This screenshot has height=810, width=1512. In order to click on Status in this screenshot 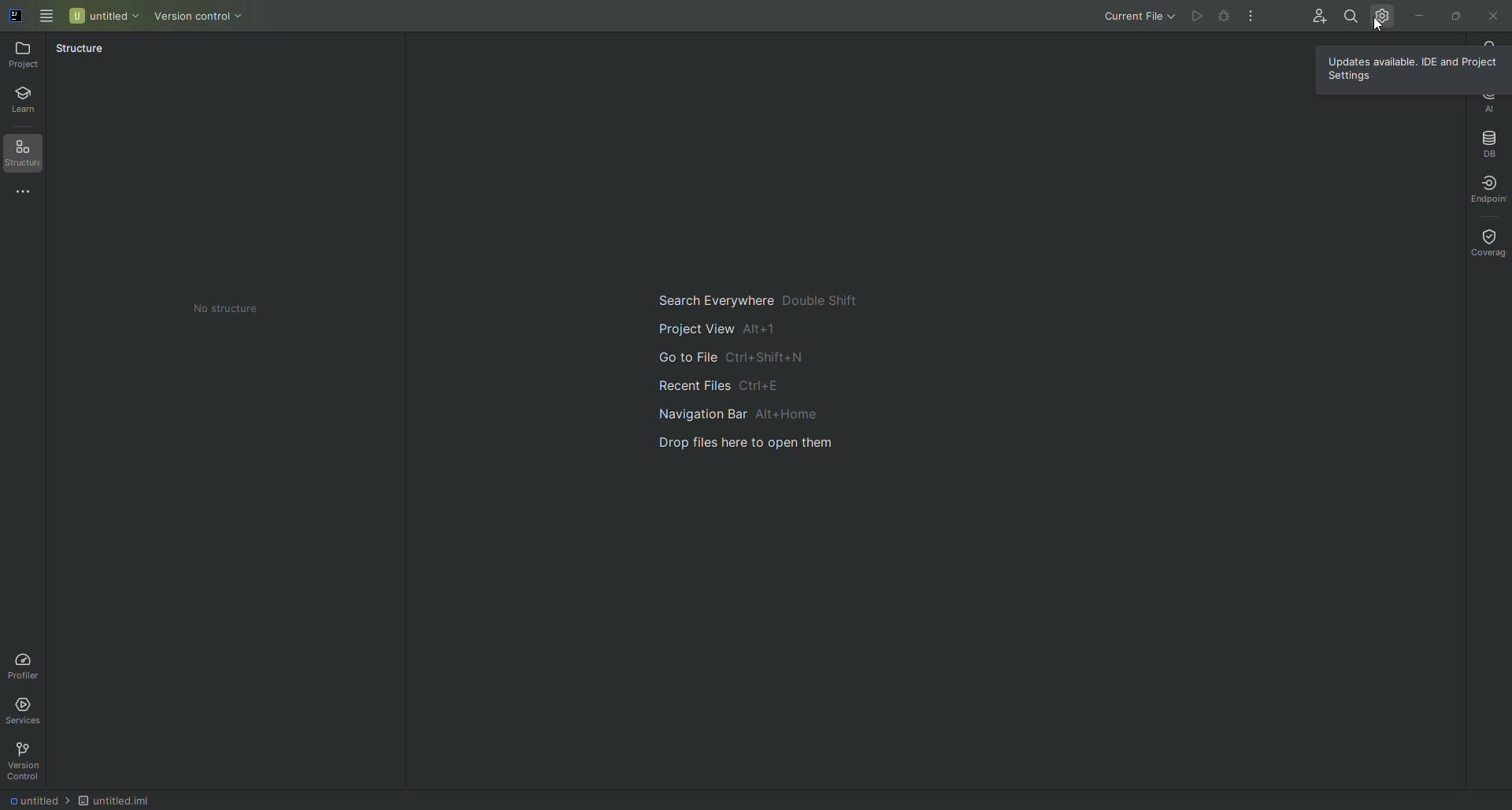, I will do `click(80, 51)`.